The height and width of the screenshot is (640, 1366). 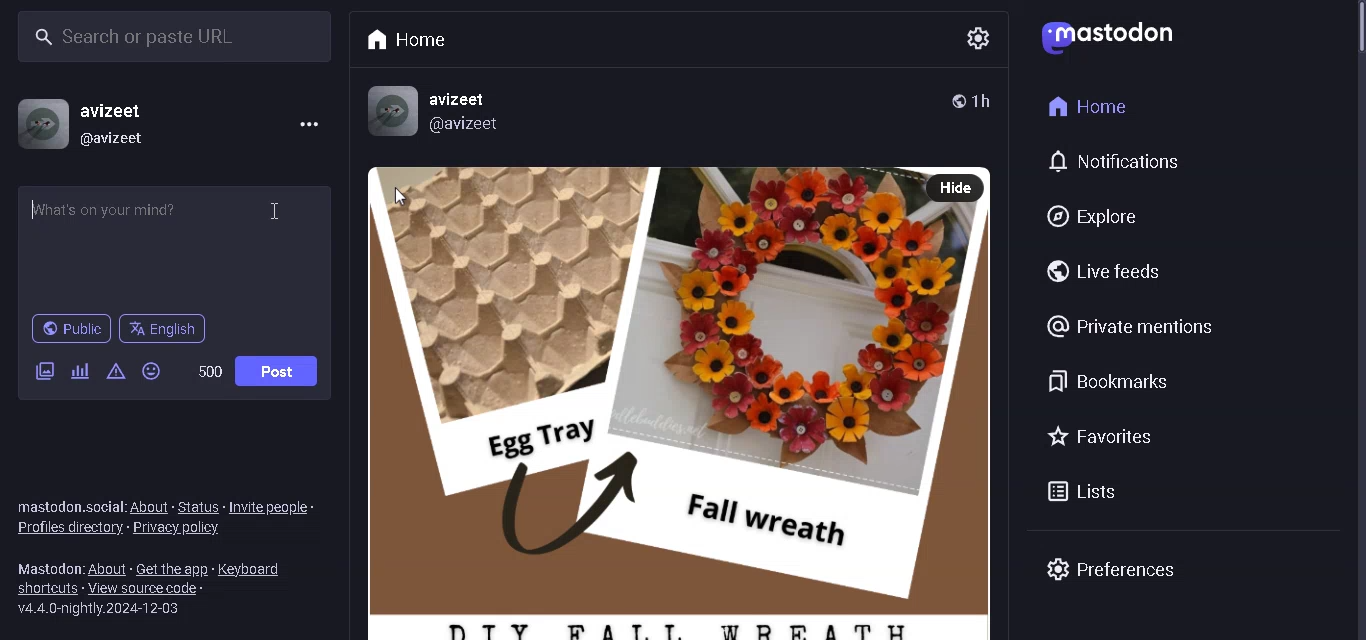 I want to click on scrollbar, so click(x=1339, y=36).